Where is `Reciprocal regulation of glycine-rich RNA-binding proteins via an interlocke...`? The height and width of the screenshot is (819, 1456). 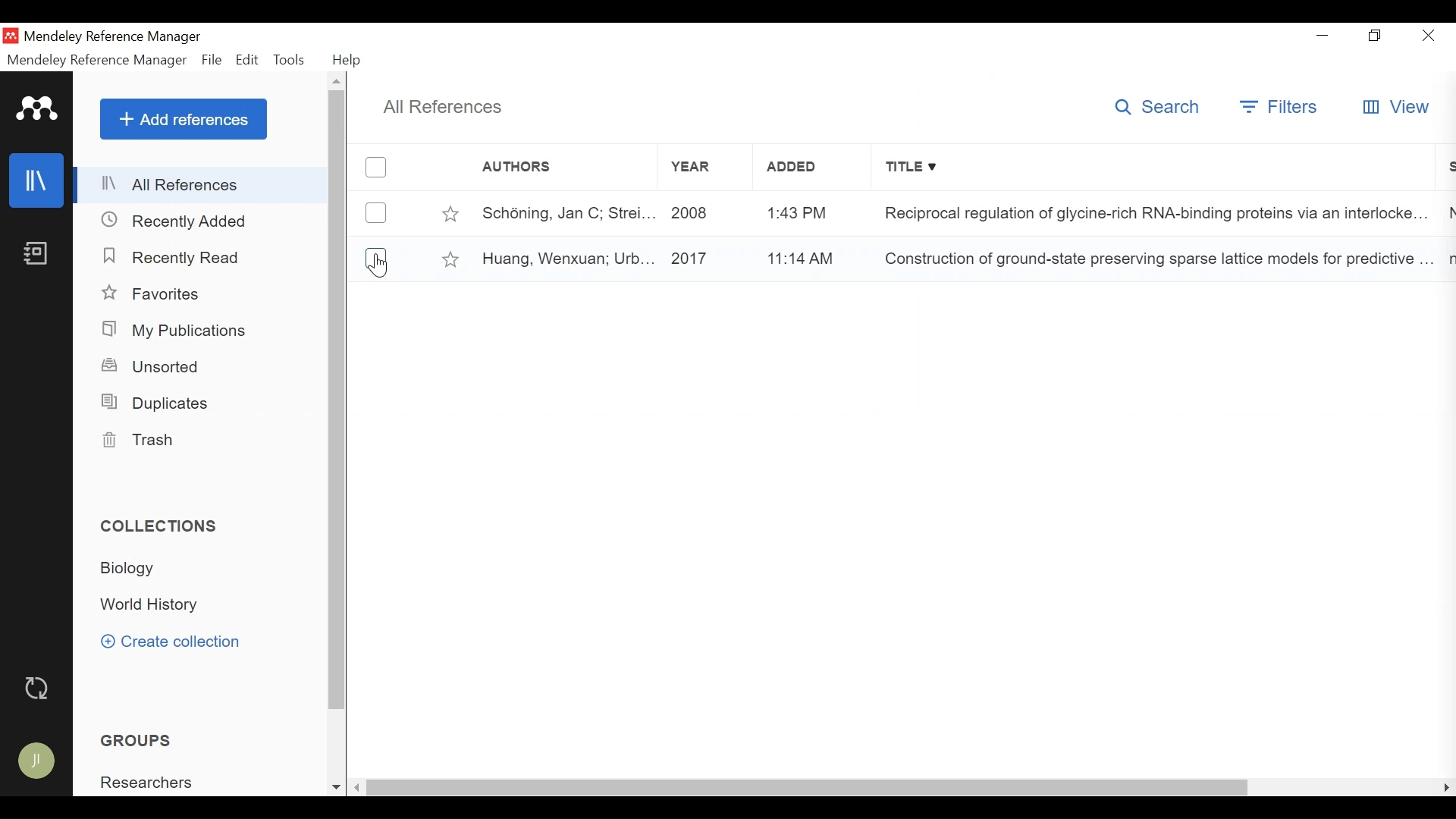 Reciprocal regulation of glycine-rich RNA-binding proteins via an interlocke... is located at coordinates (1150, 214).